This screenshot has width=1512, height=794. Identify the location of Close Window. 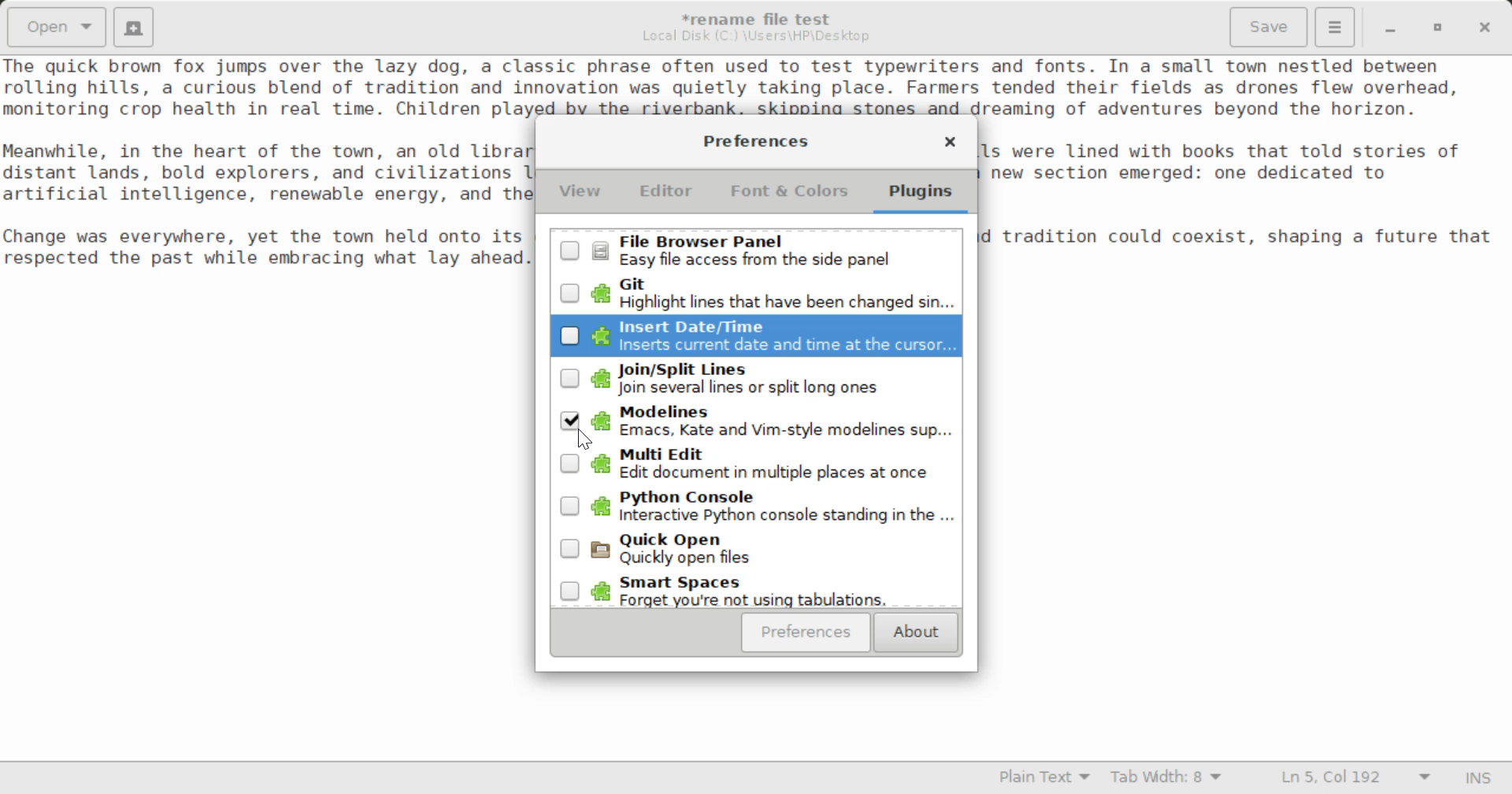
(1487, 26).